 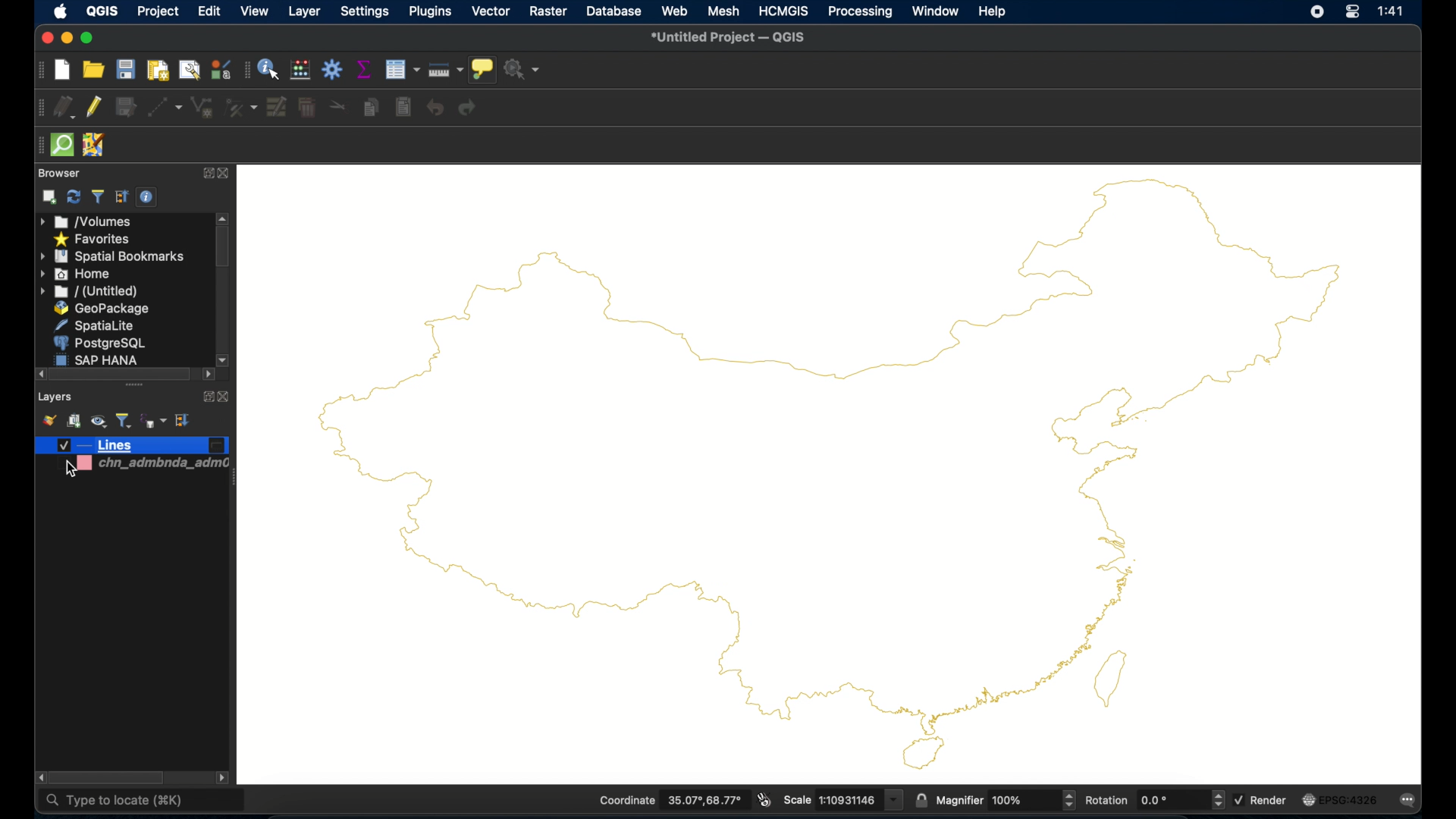 I want to click on database, so click(x=613, y=11).